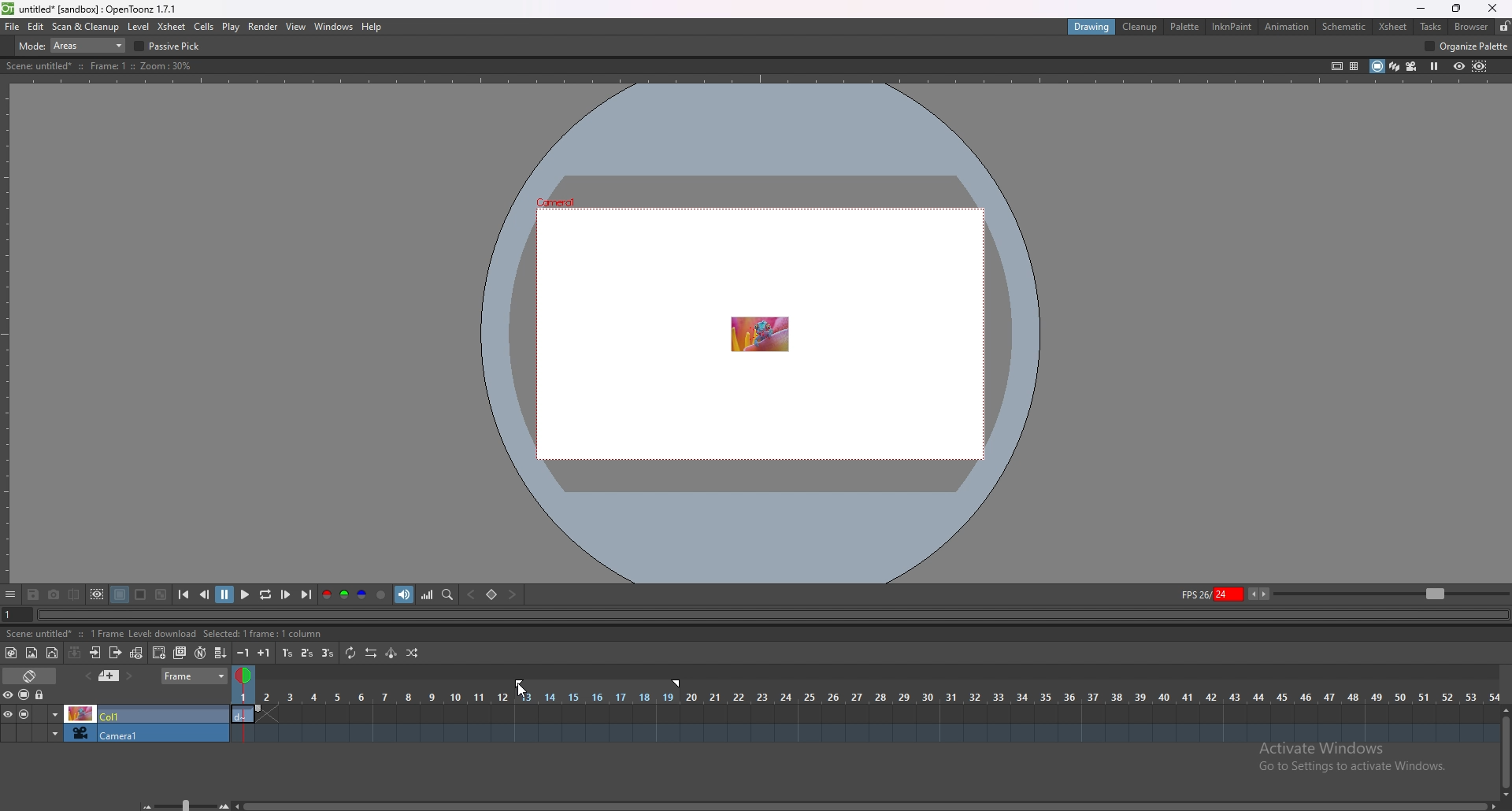 The image size is (1512, 811). I want to click on reframe on 3s, so click(328, 653).